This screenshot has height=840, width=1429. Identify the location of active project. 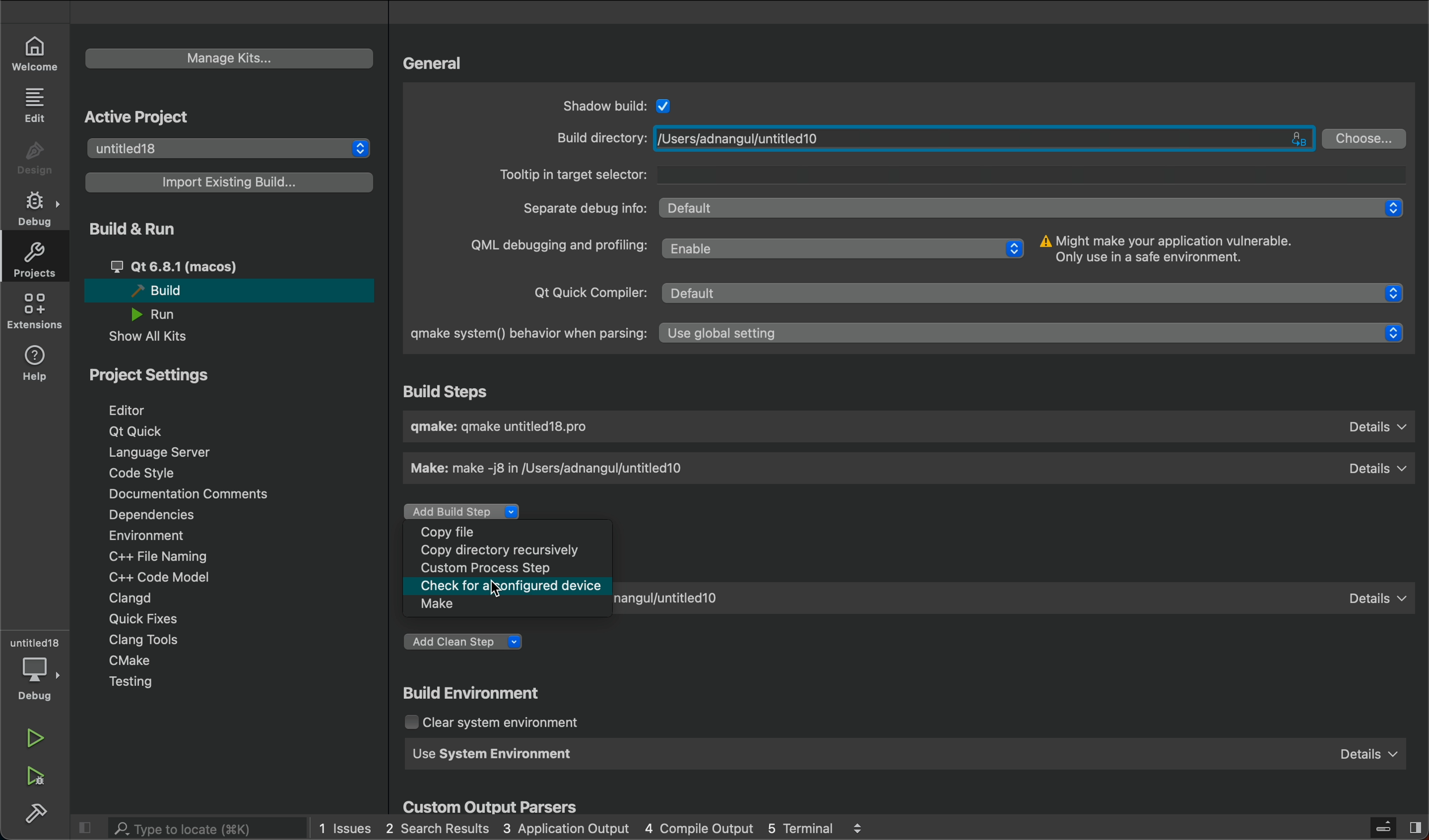
(139, 120).